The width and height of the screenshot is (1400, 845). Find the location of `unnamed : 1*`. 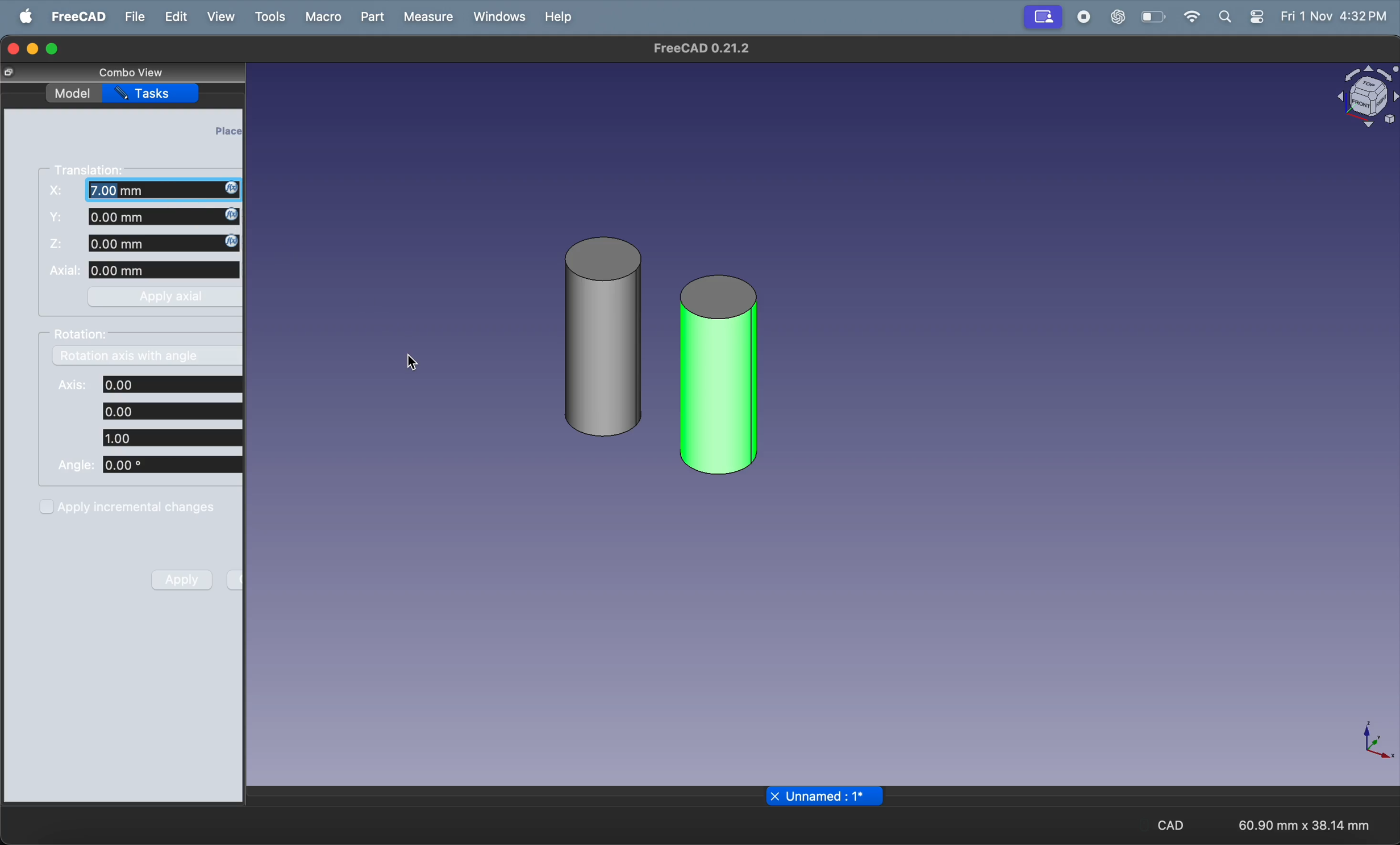

unnamed : 1* is located at coordinates (834, 796).